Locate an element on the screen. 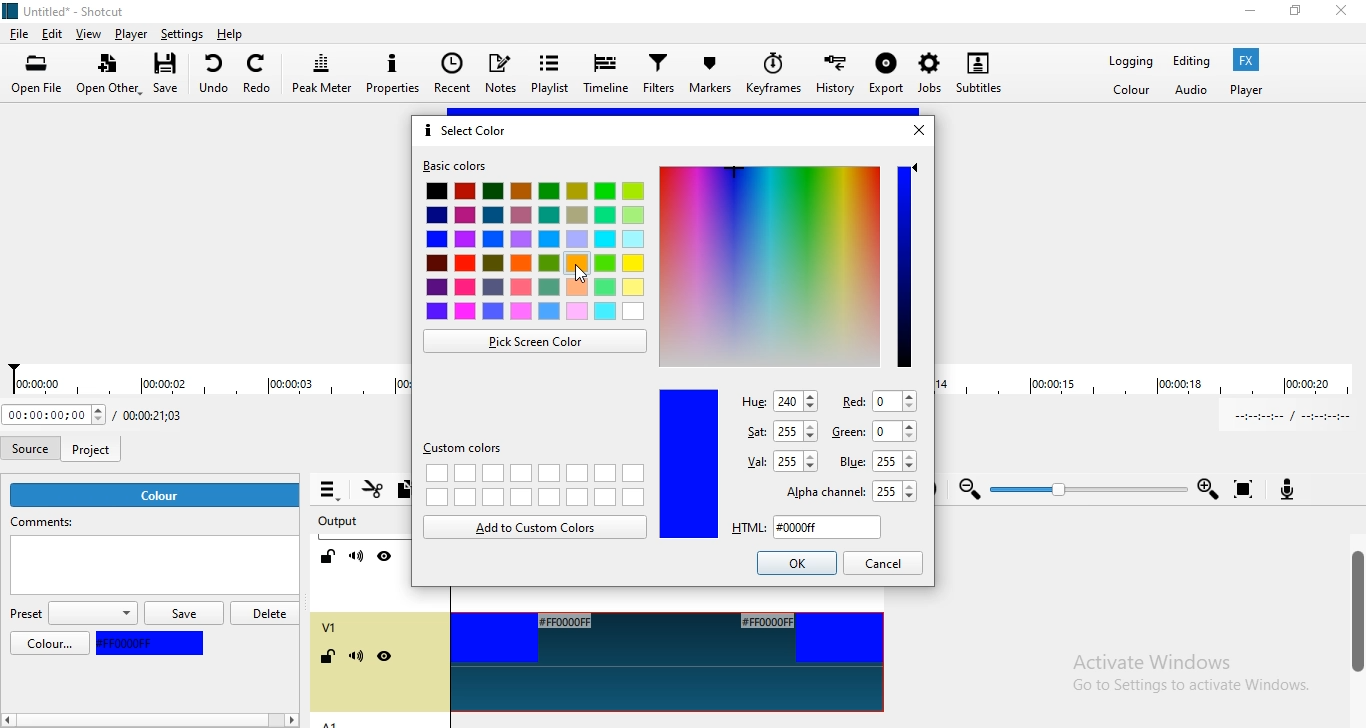 The height and width of the screenshot is (728, 1366). sat is located at coordinates (780, 427).